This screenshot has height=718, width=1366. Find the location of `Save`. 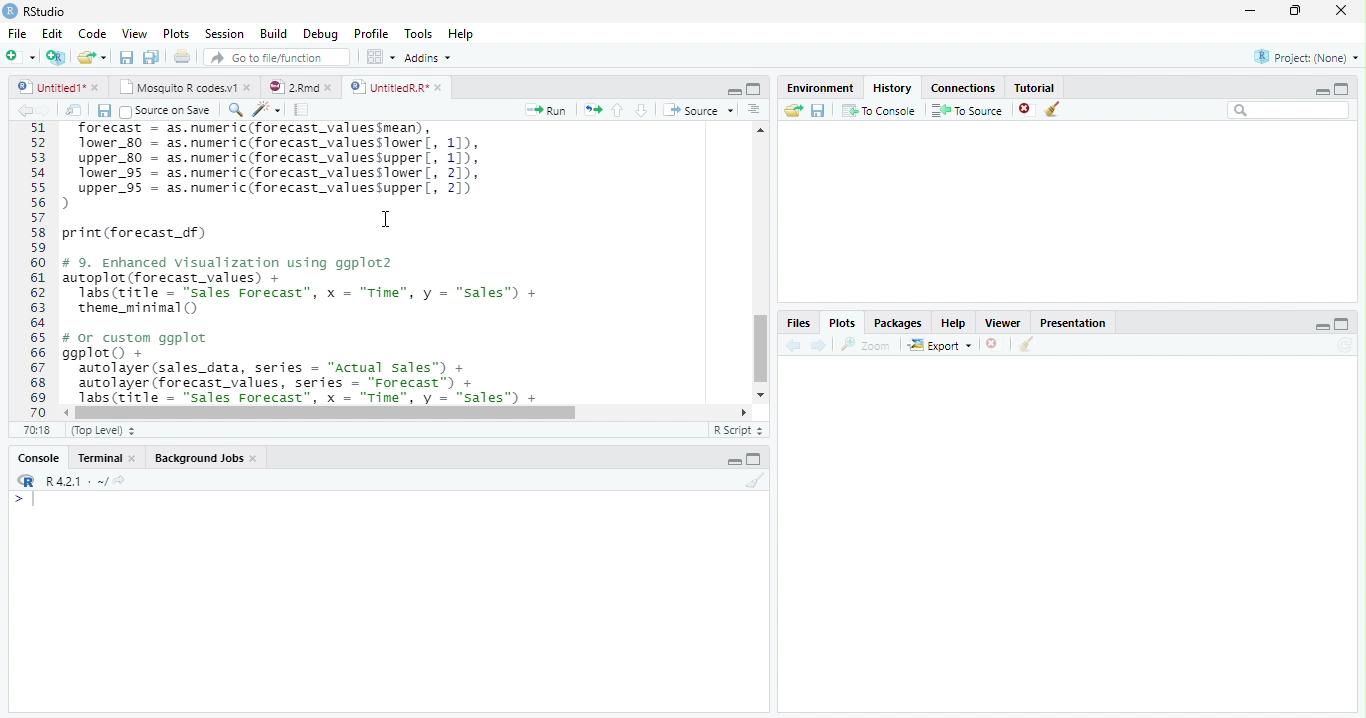

Save is located at coordinates (125, 56).